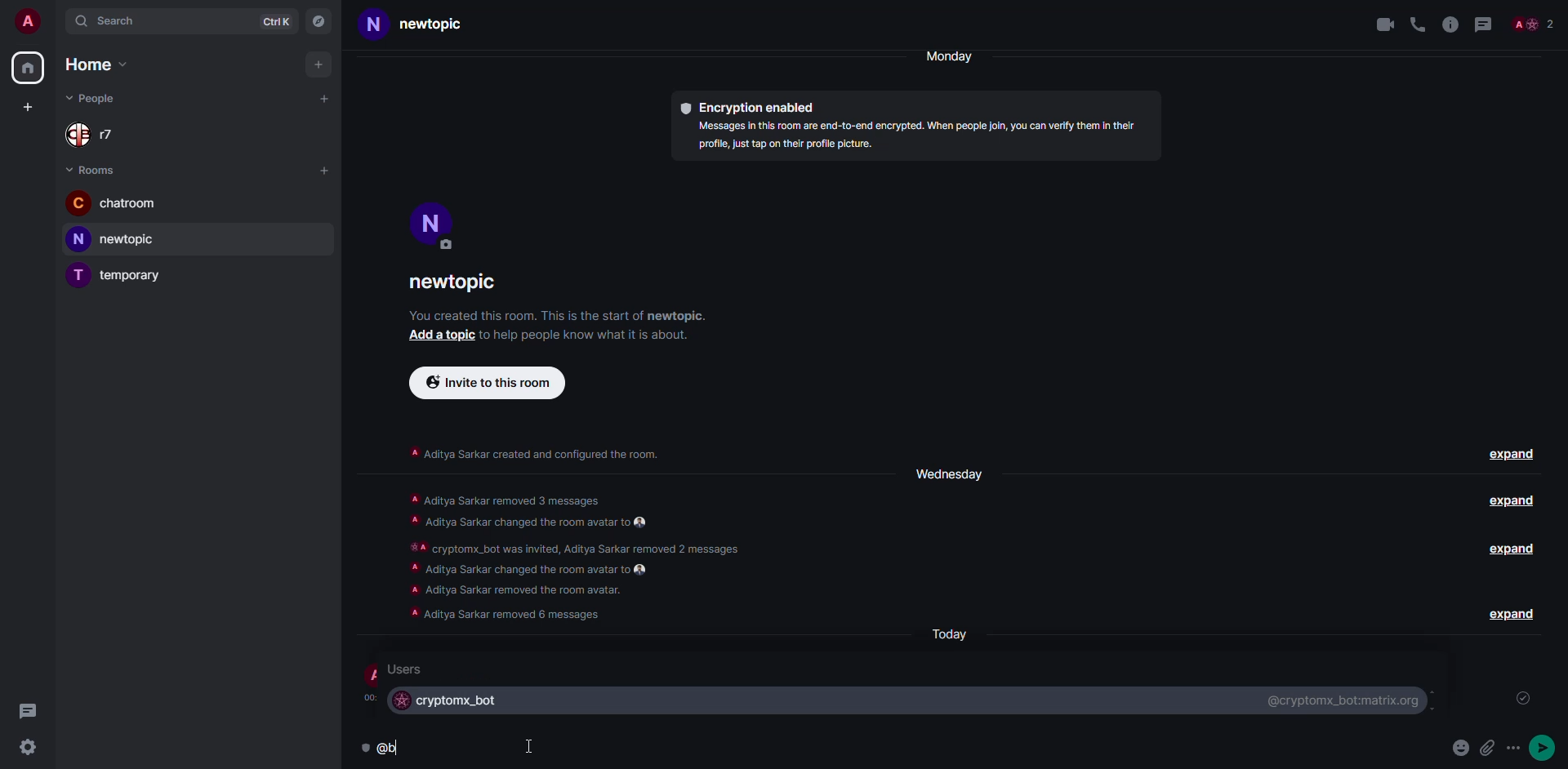 The image size is (1568, 769). What do you see at coordinates (751, 109) in the screenshot?
I see `encryption enabled` at bounding box center [751, 109].